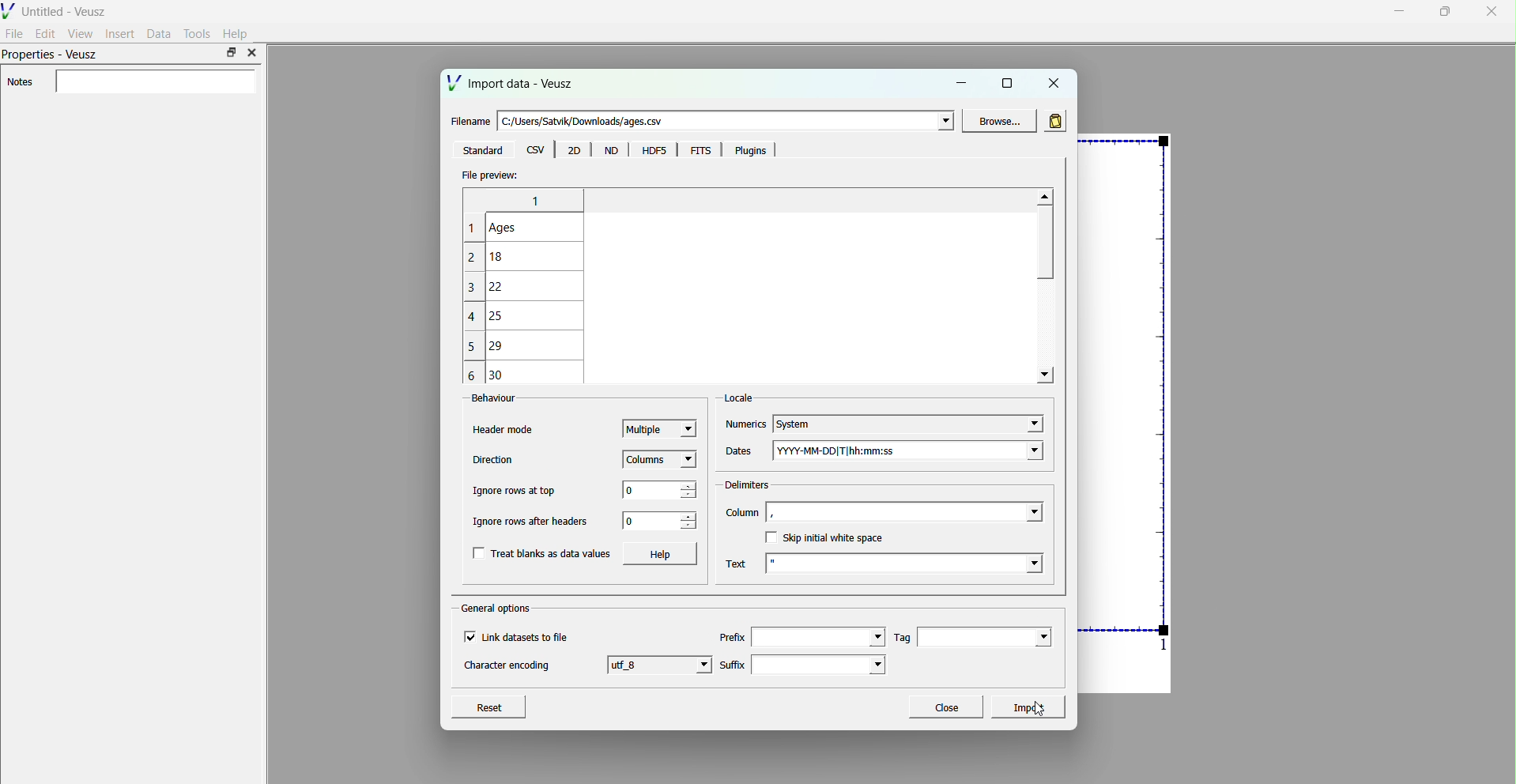 This screenshot has width=1516, height=784. What do you see at coordinates (660, 427) in the screenshot?
I see `Multiple` at bounding box center [660, 427].